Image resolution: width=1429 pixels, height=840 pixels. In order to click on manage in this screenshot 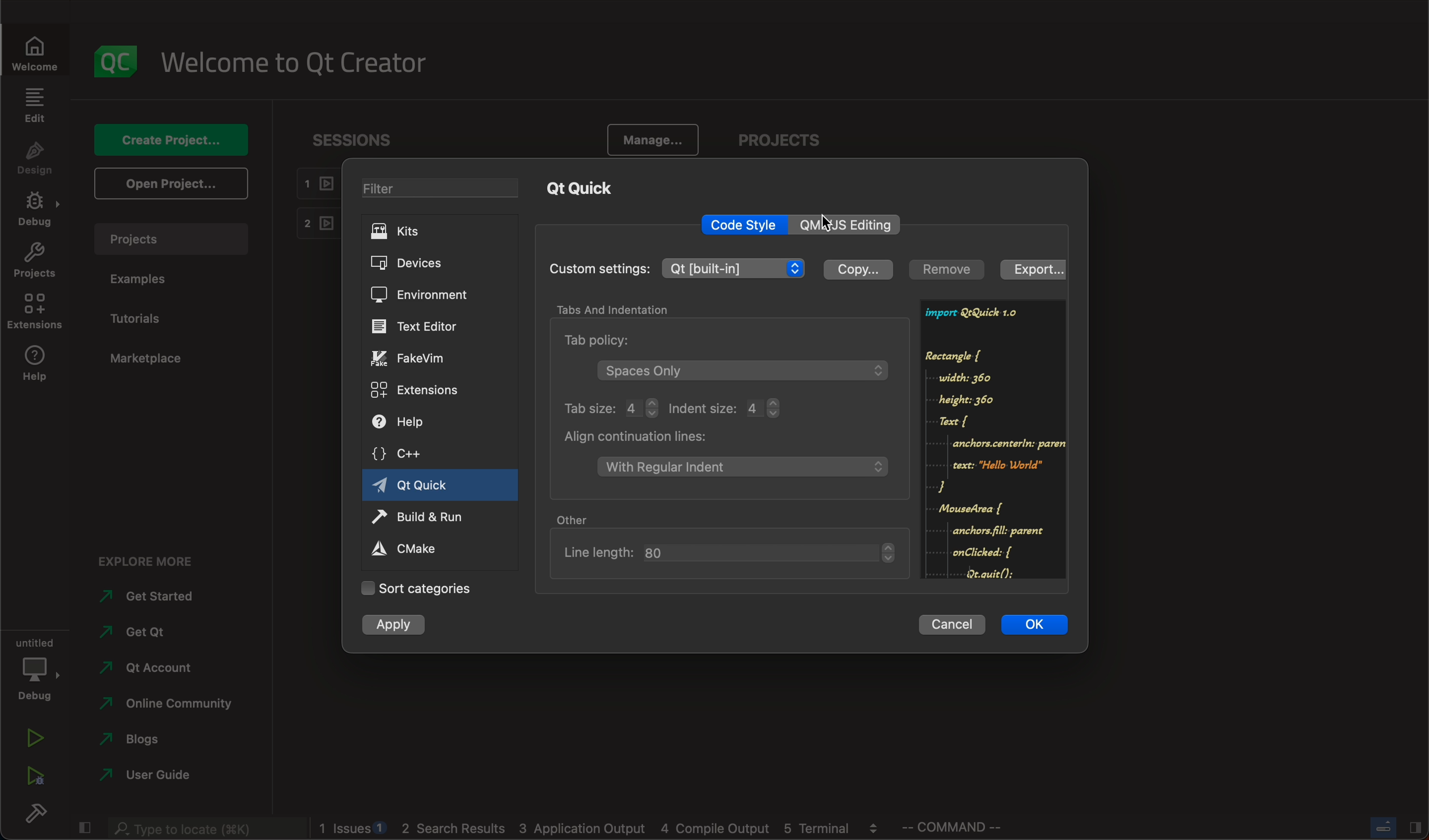, I will do `click(653, 138)`.